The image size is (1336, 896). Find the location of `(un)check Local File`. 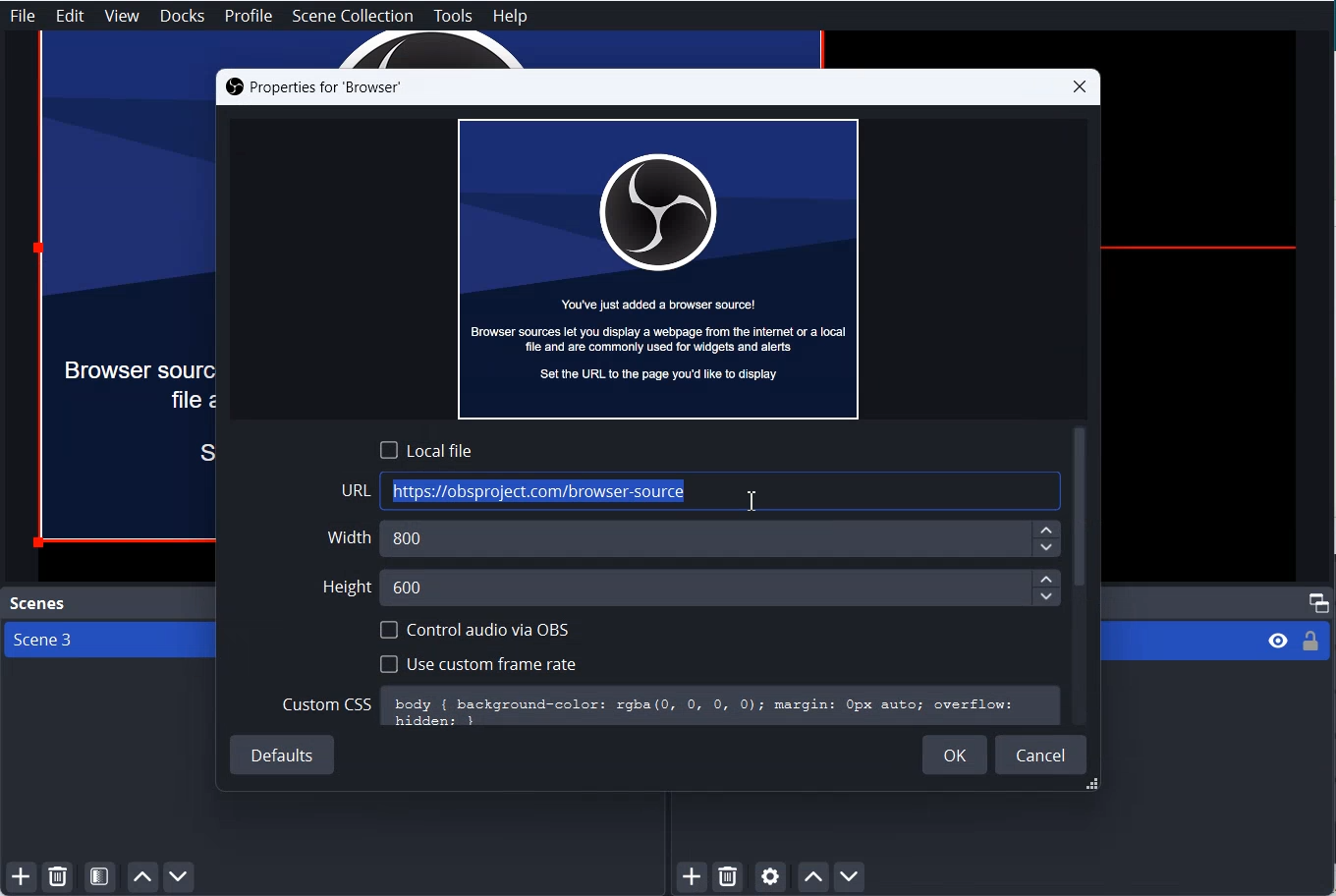

(un)check Local File is located at coordinates (426, 449).